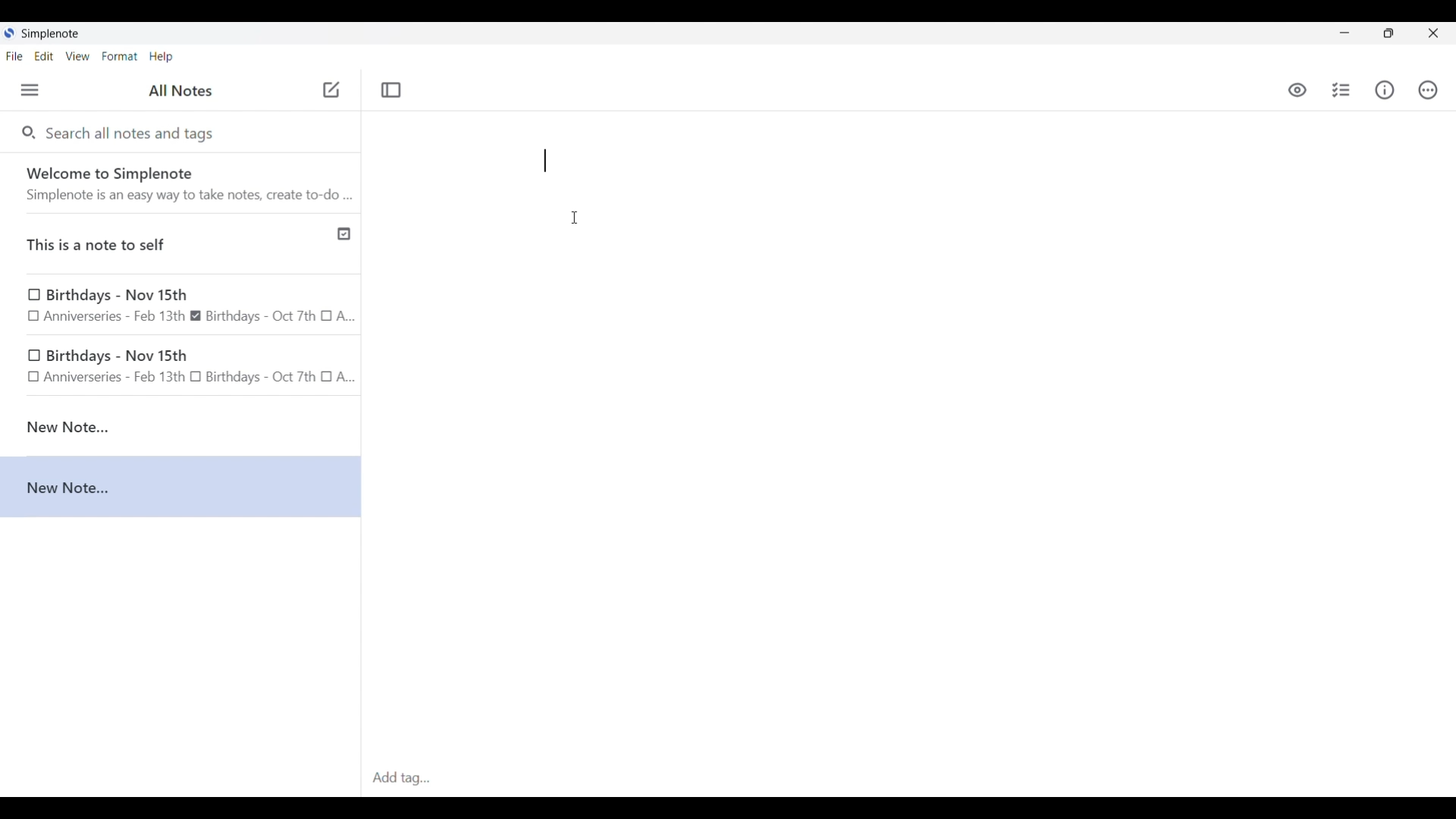  What do you see at coordinates (1389, 33) in the screenshot?
I see `Show interface in a smaller tab` at bounding box center [1389, 33].